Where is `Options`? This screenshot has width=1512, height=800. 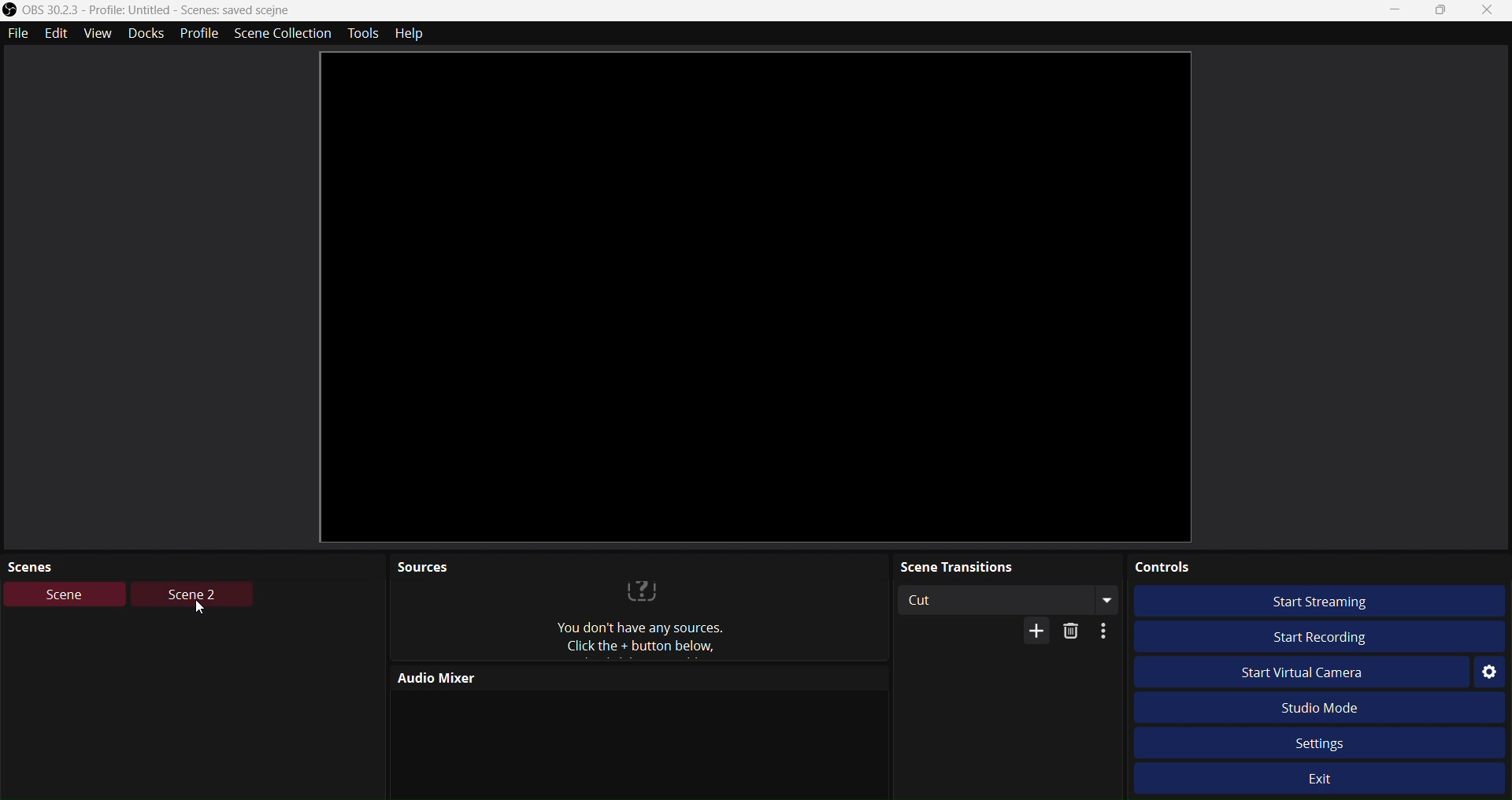
Options is located at coordinates (1103, 631).